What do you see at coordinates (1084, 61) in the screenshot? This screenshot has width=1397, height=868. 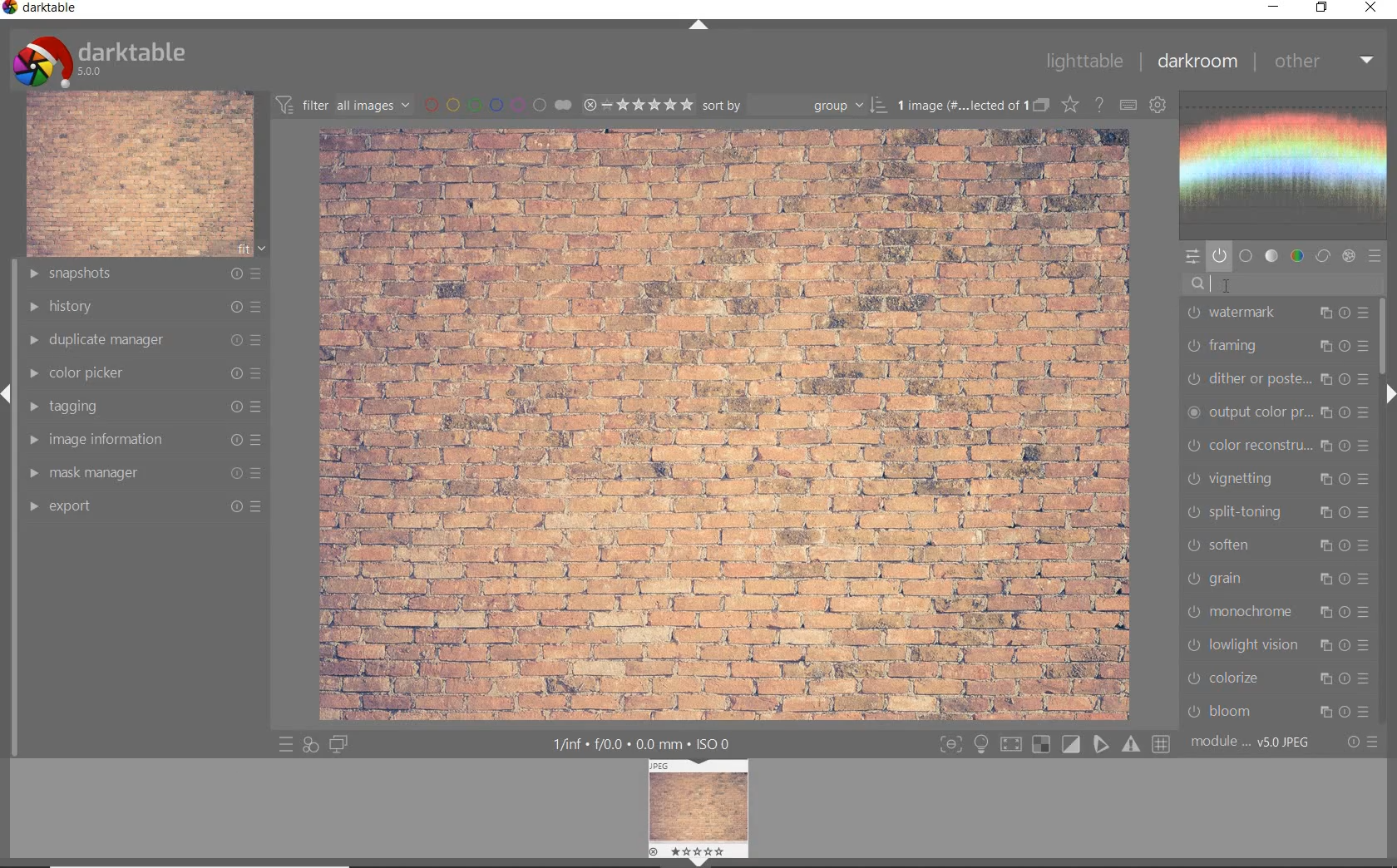 I see `lighttable` at bounding box center [1084, 61].